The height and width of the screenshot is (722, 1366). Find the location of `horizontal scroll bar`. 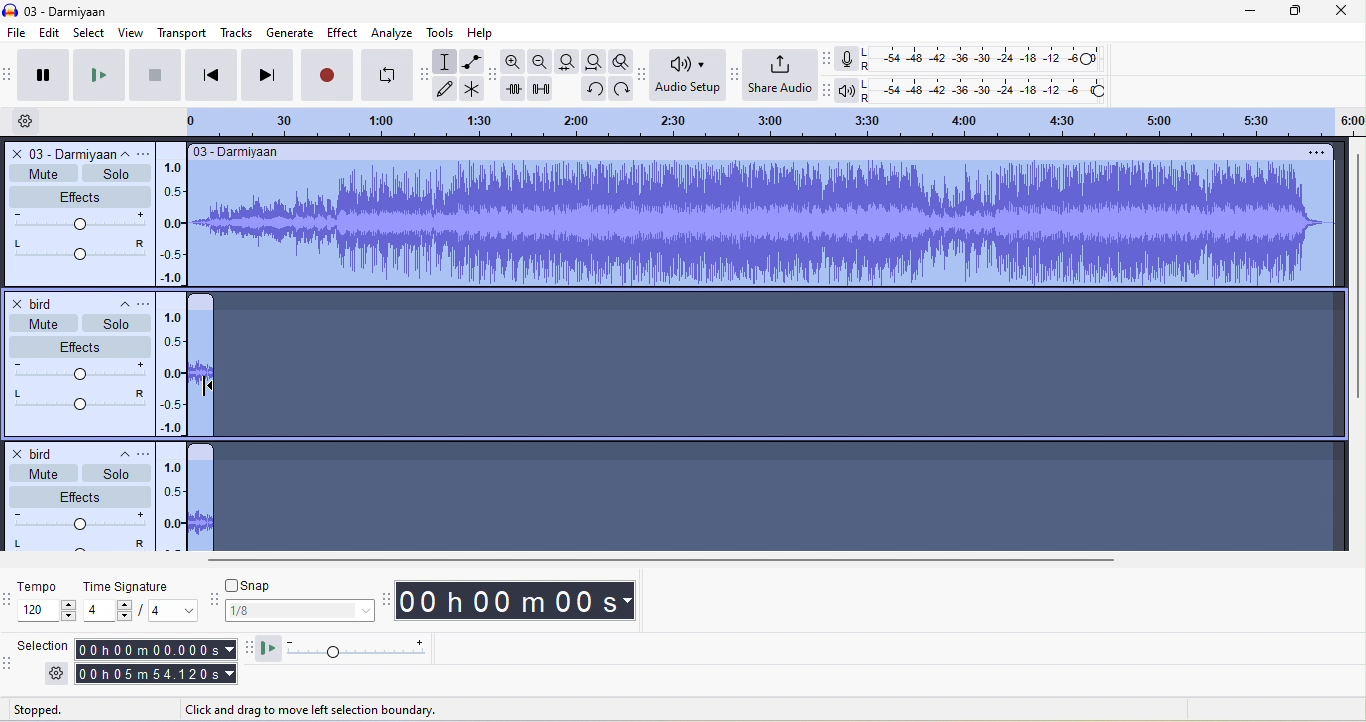

horizontal scroll bar is located at coordinates (656, 559).